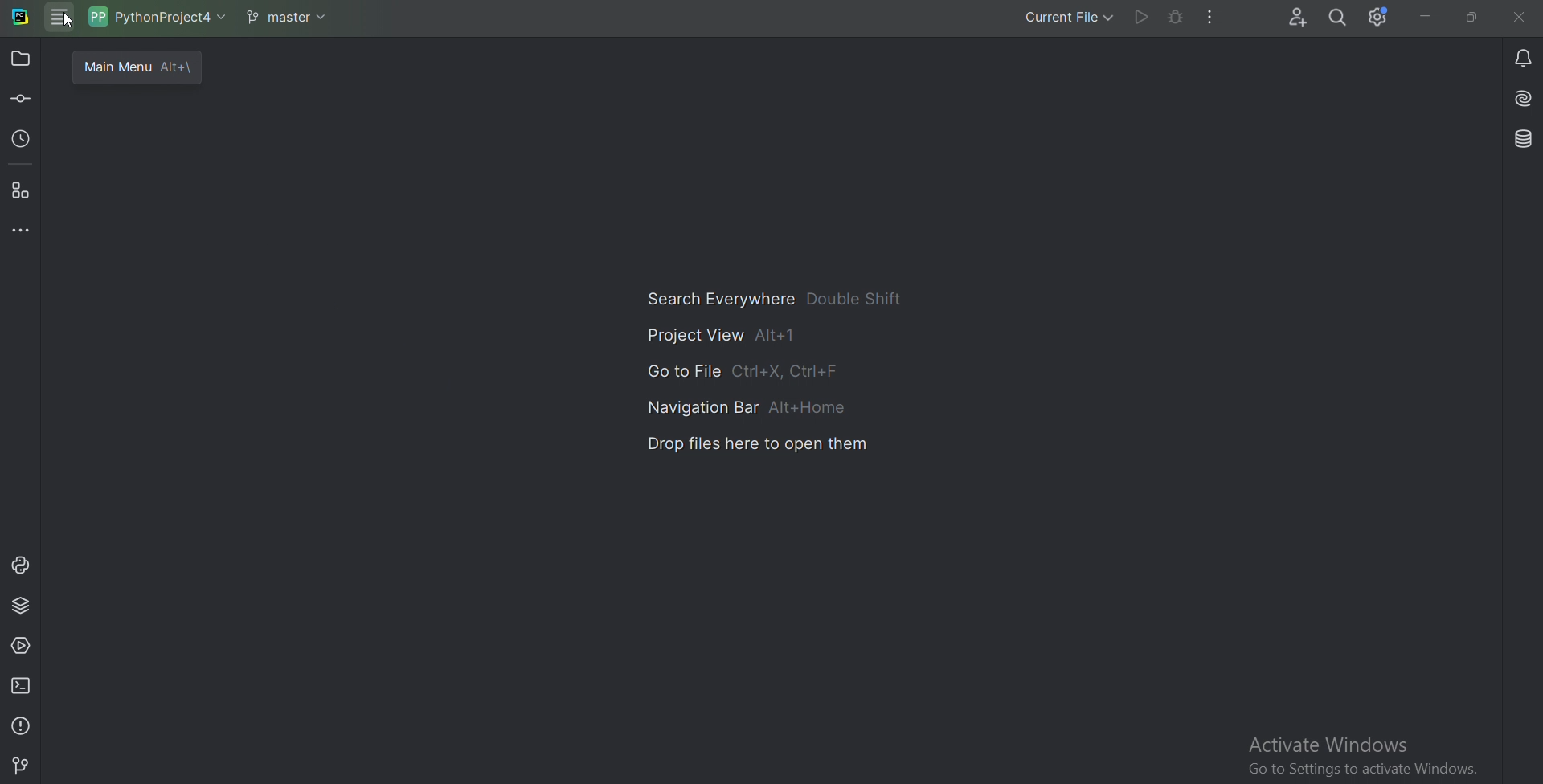  What do you see at coordinates (719, 334) in the screenshot?
I see `Project view` at bounding box center [719, 334].